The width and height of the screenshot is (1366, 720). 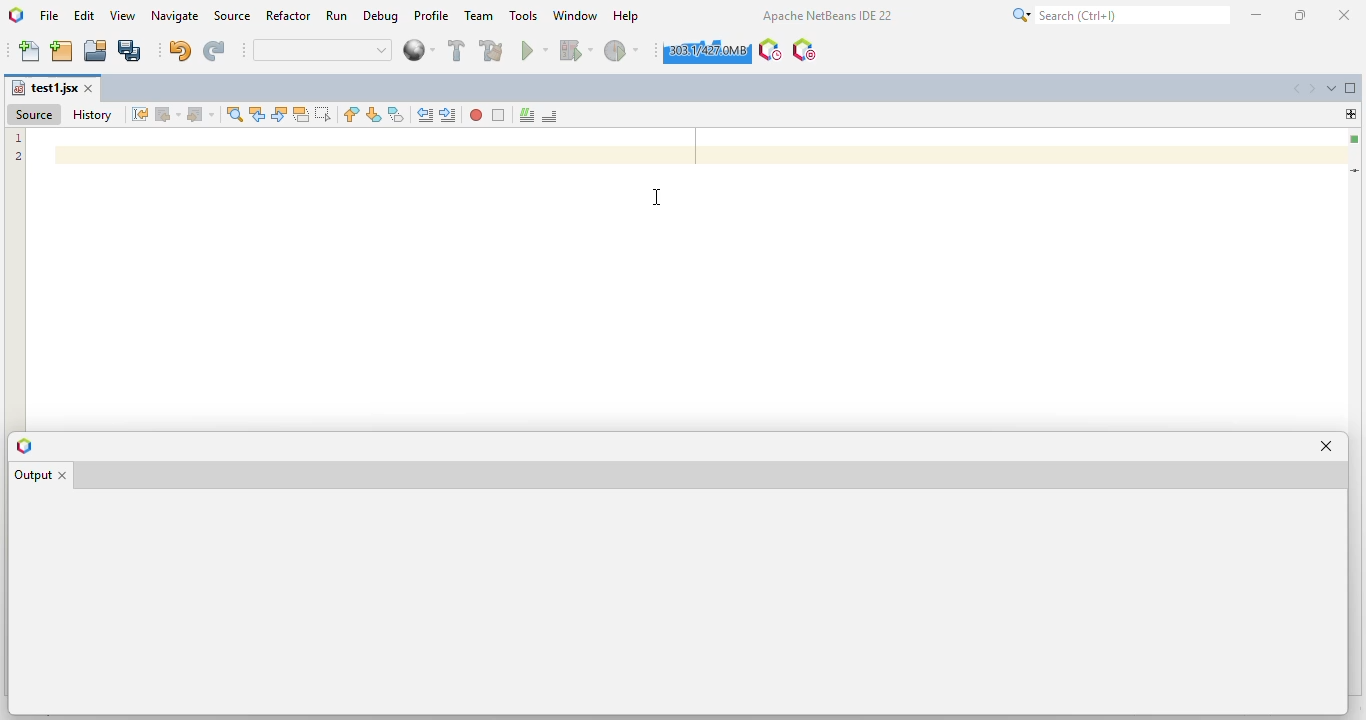 What do you see at coordinates (301, 115) in the screenshot?
I see `toggle highlight search` at bounding box center [301, 115].